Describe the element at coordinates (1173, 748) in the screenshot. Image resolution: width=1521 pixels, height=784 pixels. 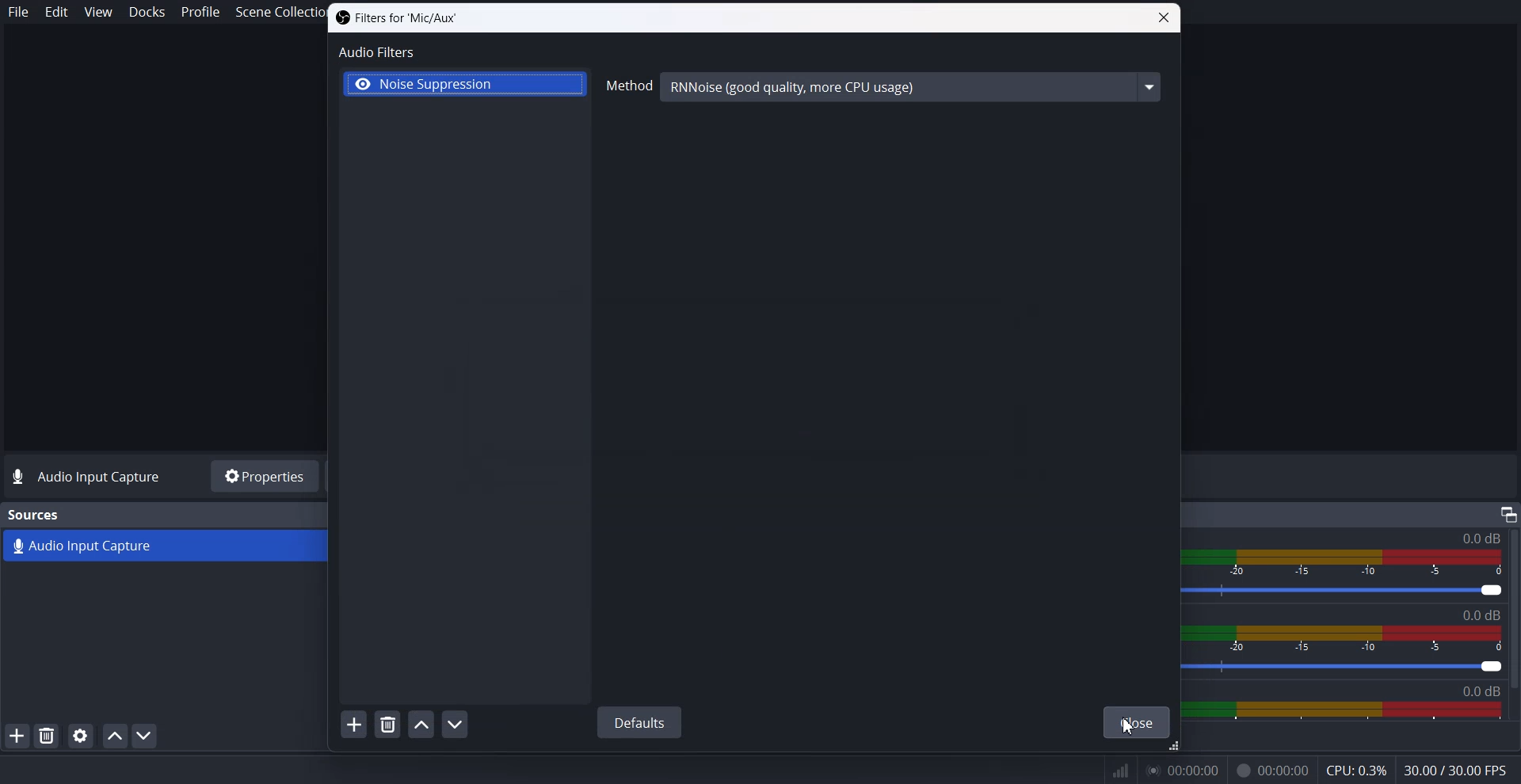
I see `Drag handle` at that location.